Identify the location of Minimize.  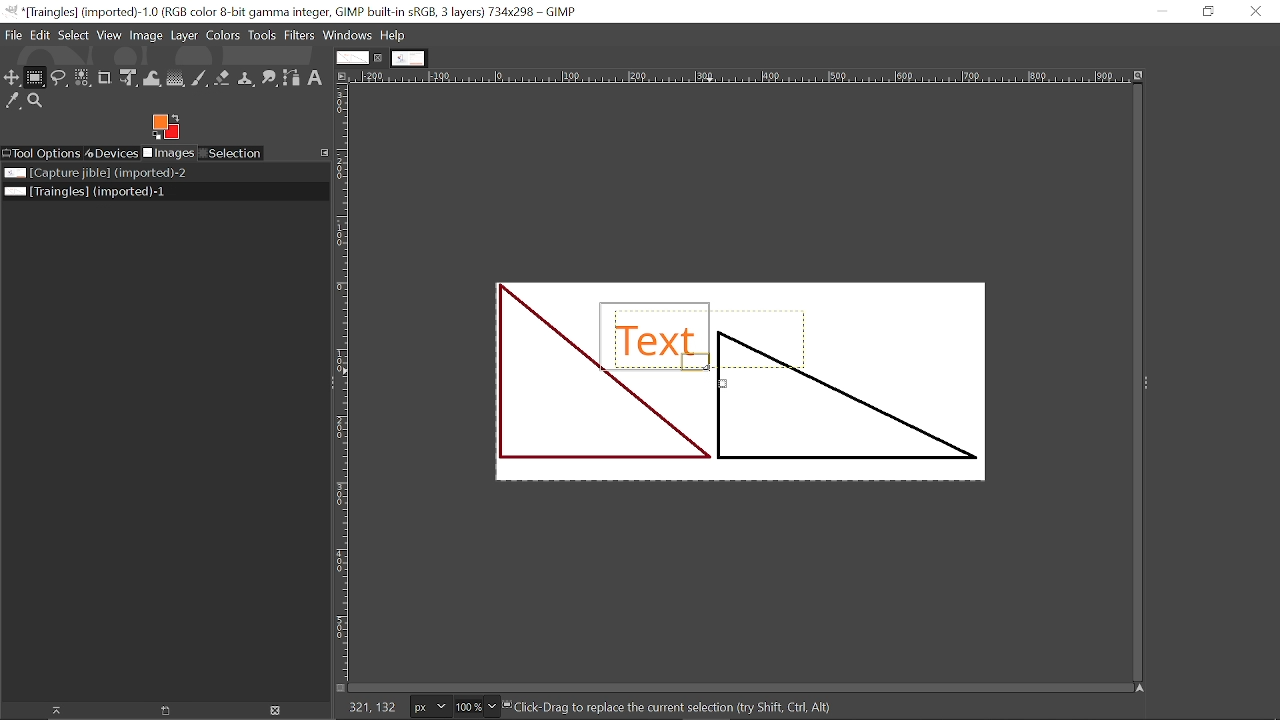
(1157, 11).